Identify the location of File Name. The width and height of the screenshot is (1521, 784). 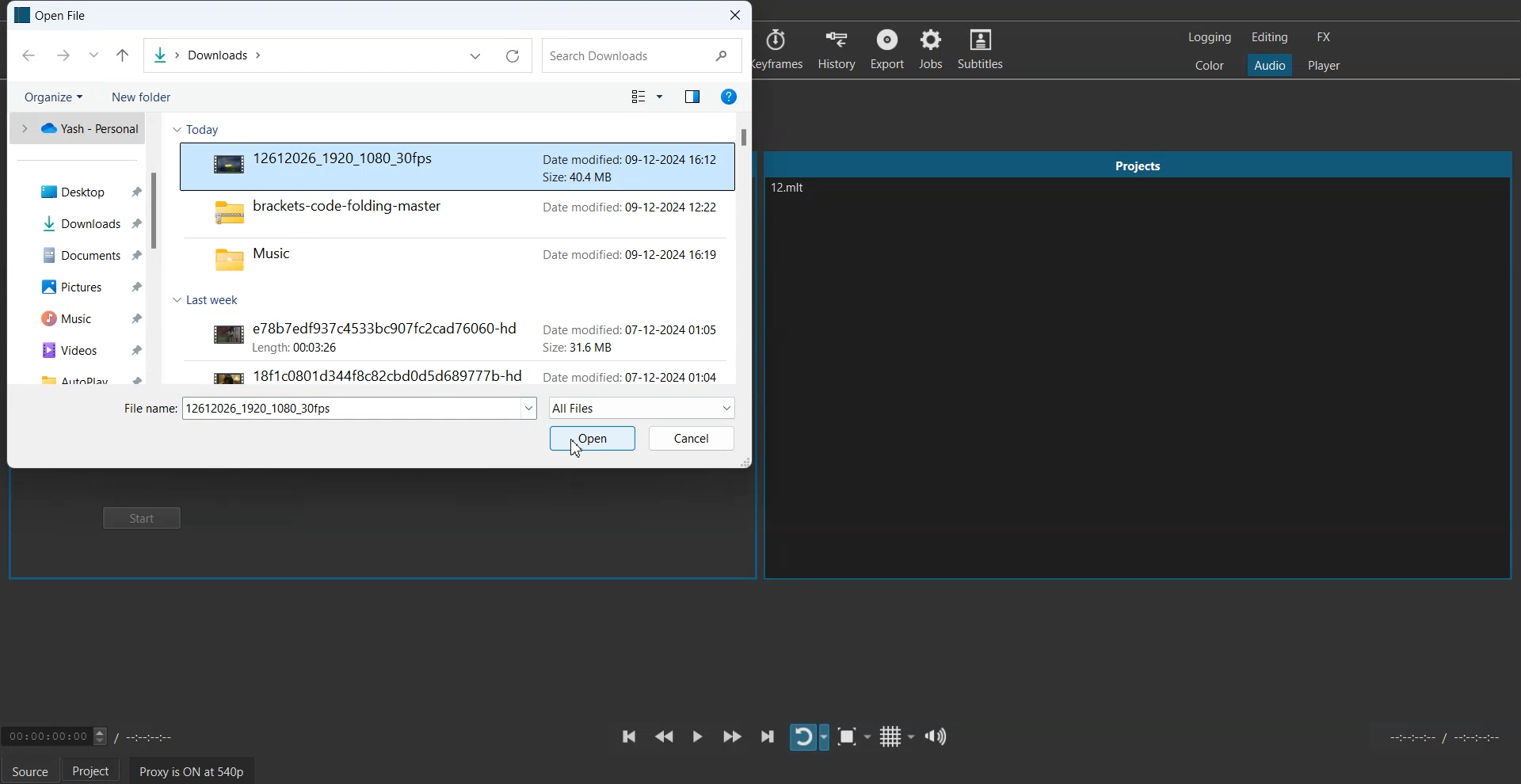
(148, 409).